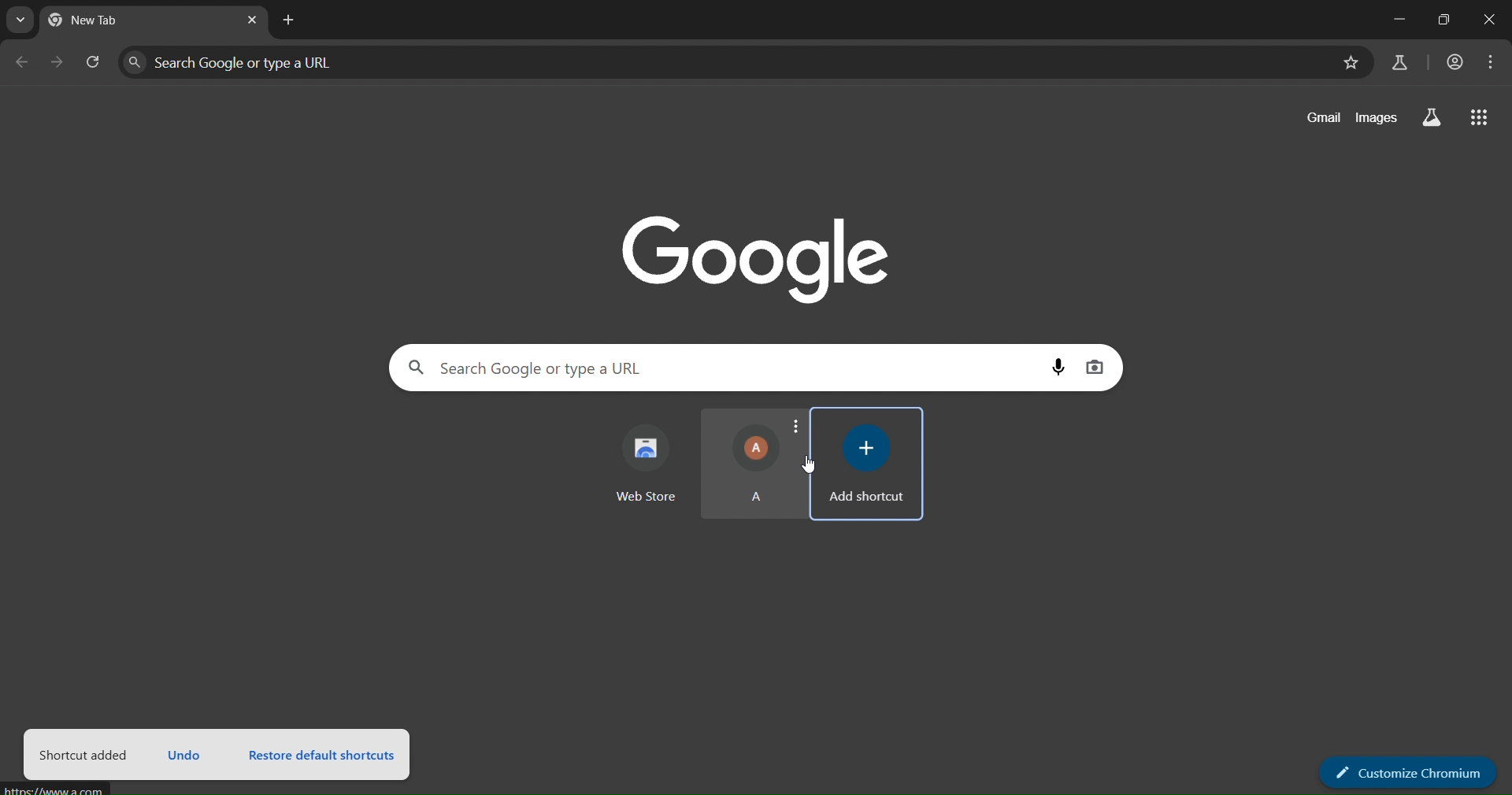 The height and width of the screenshot is (795, 1512). Describe the element at coordinates (58, 65) in the screenshot. I see `go forward one page` at that location.